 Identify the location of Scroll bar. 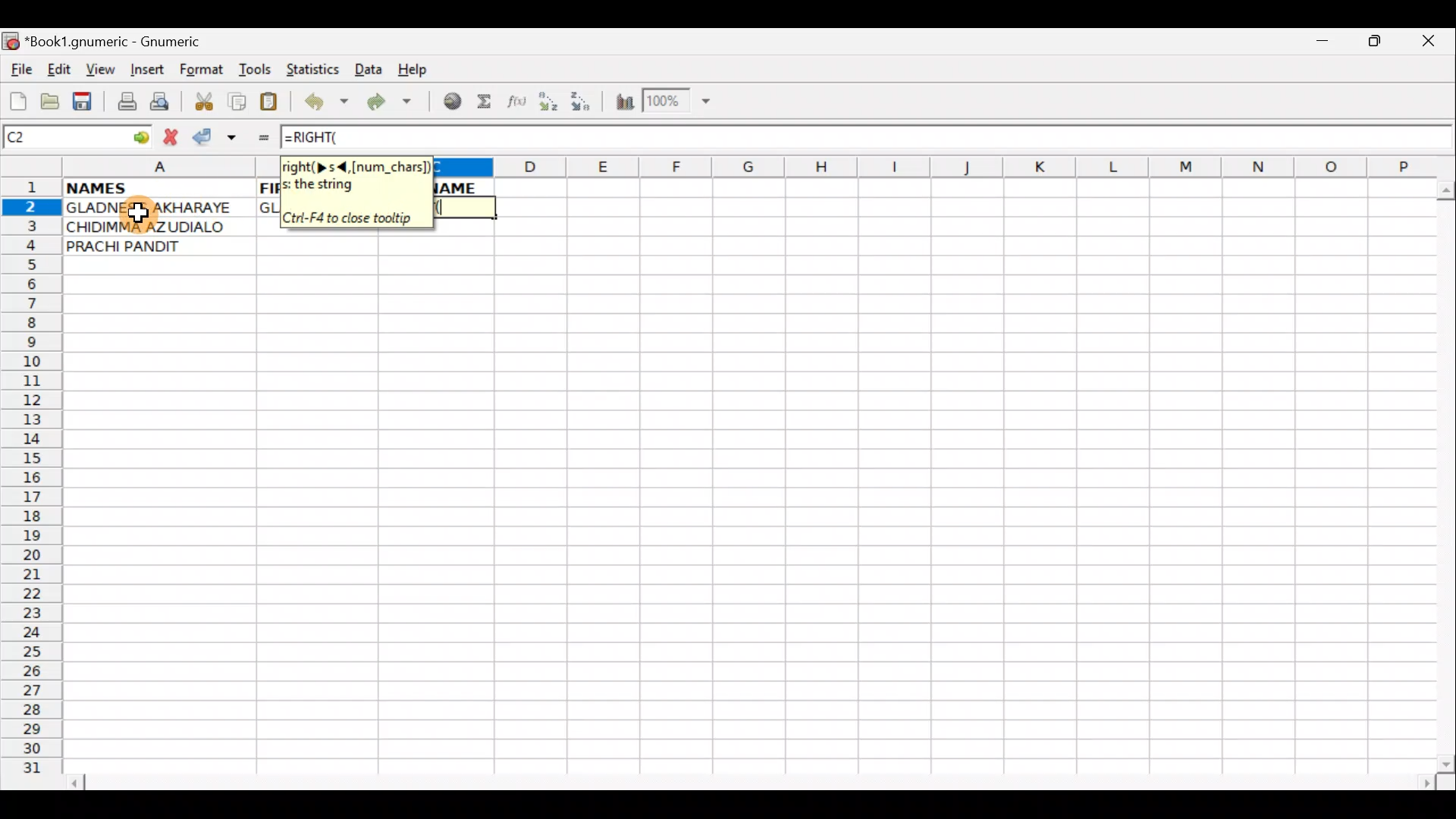
(754, 780).